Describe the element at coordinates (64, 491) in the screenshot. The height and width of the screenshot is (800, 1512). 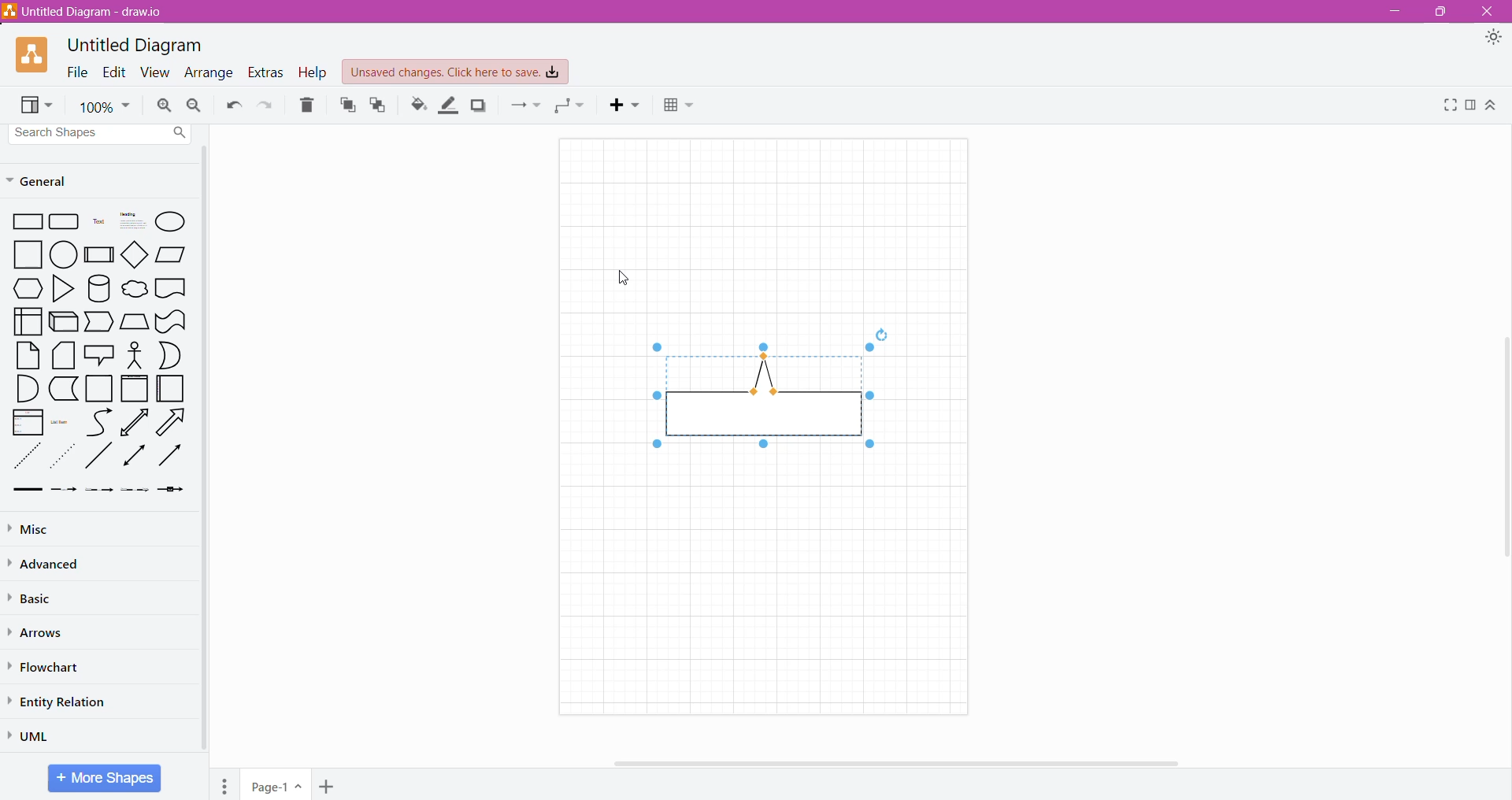
I see `Dashed Arrow` at that location.